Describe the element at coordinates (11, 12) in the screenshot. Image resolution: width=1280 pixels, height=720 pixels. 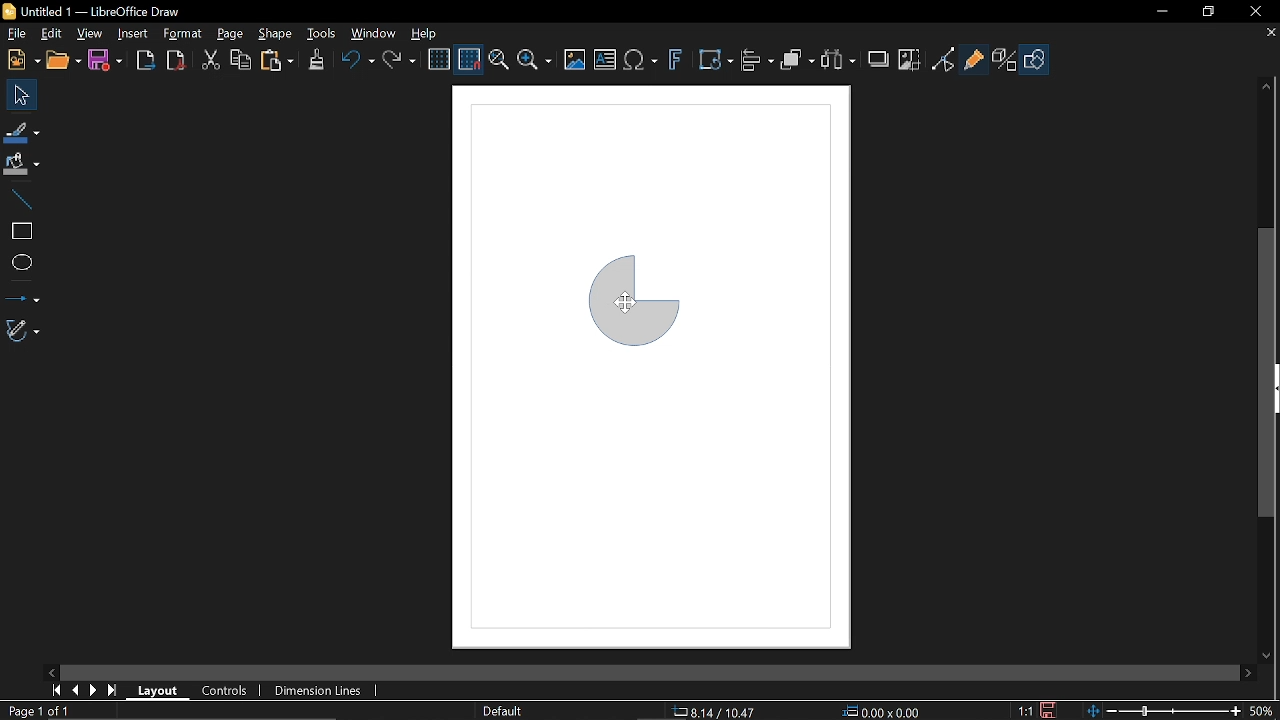
I see `LibreOffice Logo` at that location.